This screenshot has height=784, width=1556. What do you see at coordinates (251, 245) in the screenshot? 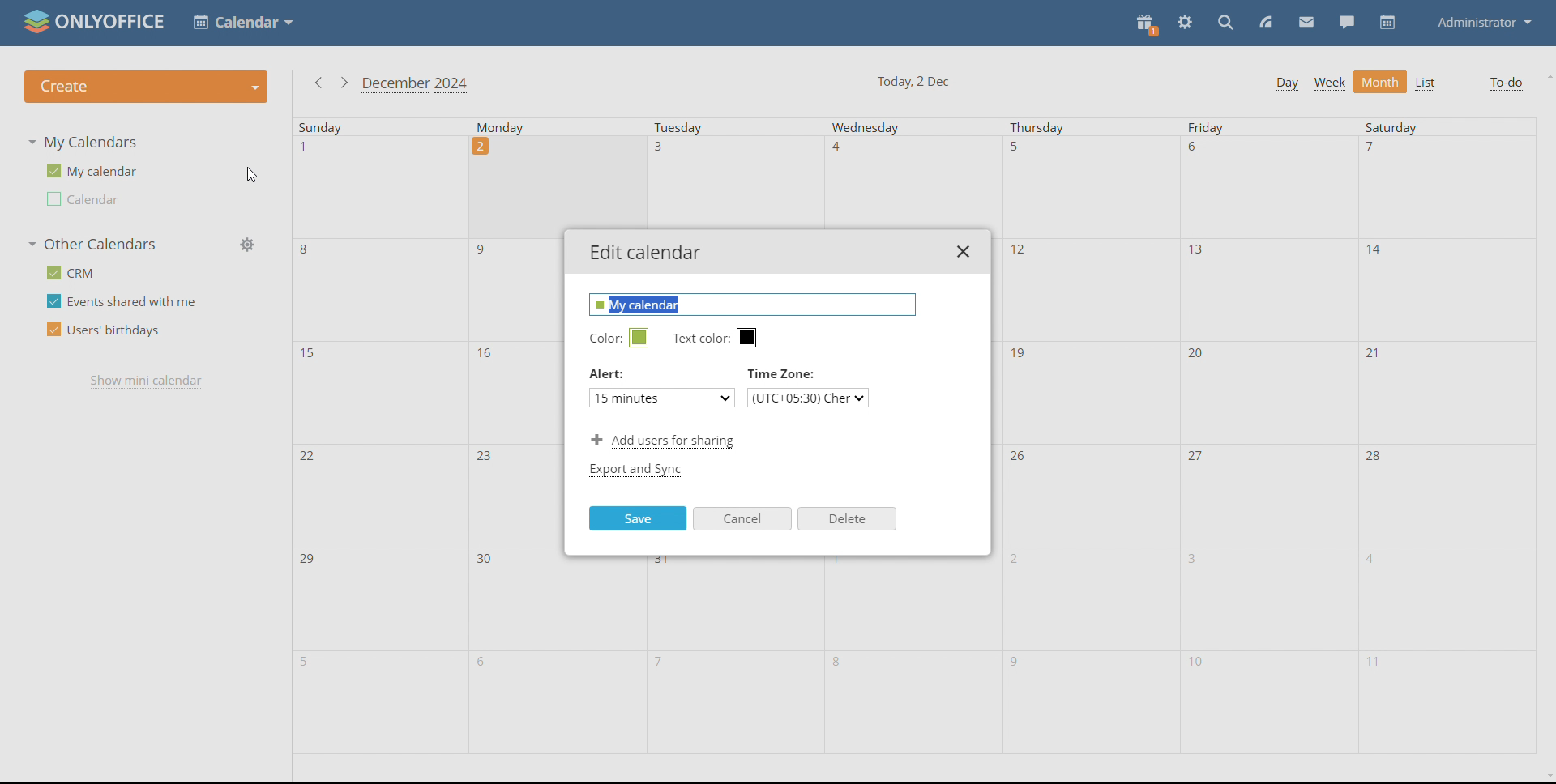
I see `manage` at bounding box center [251, 245].